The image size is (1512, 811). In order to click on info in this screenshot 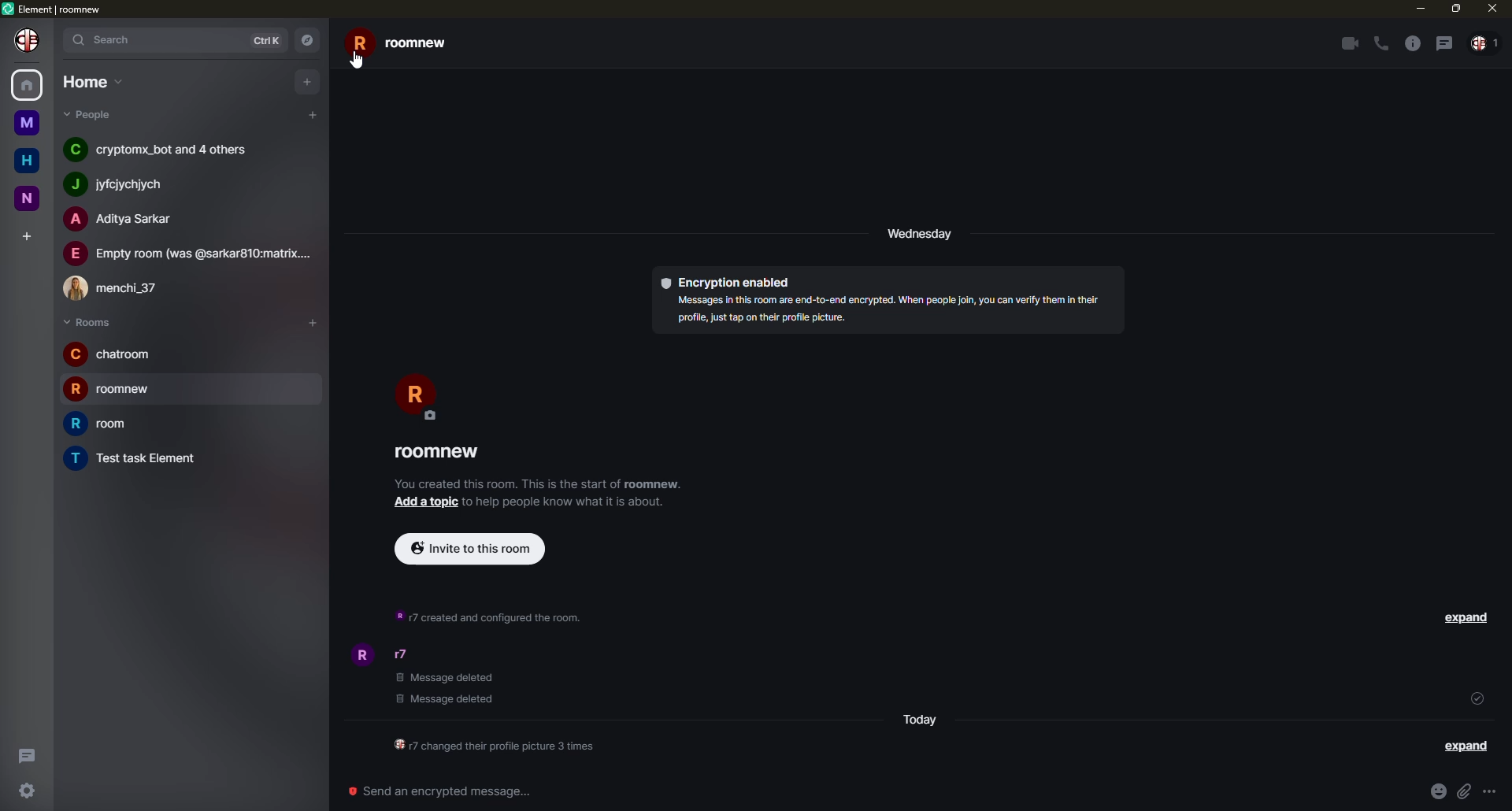, I will do `click(1410, 43)`.